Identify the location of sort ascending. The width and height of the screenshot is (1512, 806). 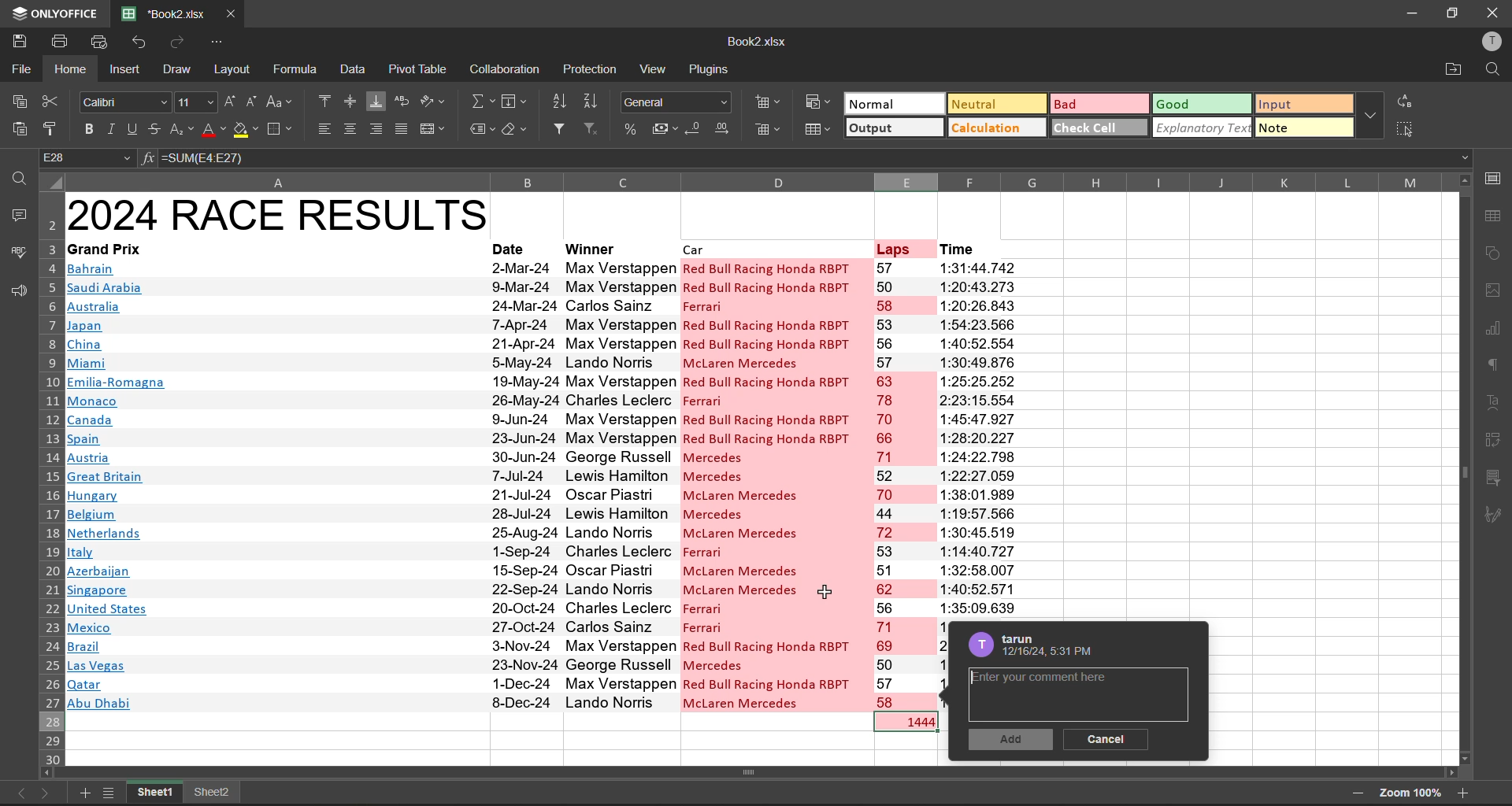
(561, 102).